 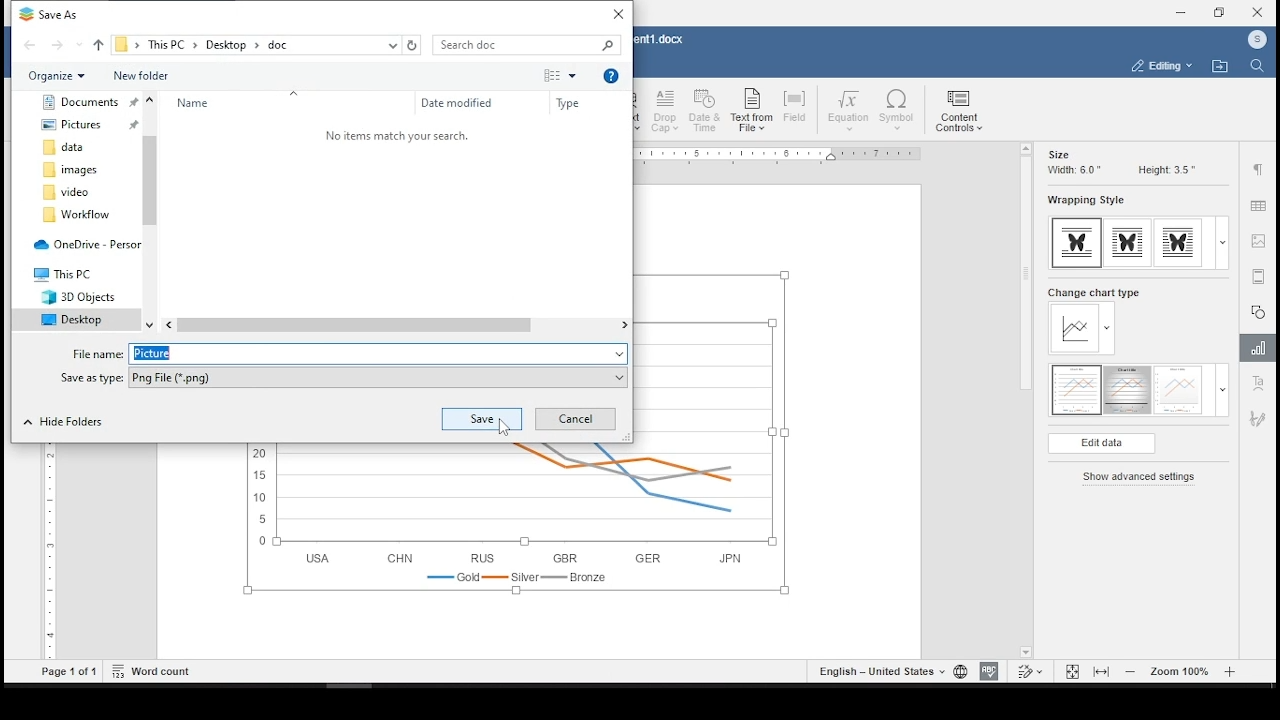 What do you see at coordinates (68, 272) in the screenshot?
I see `This PC` at bounding box center [68, 272].